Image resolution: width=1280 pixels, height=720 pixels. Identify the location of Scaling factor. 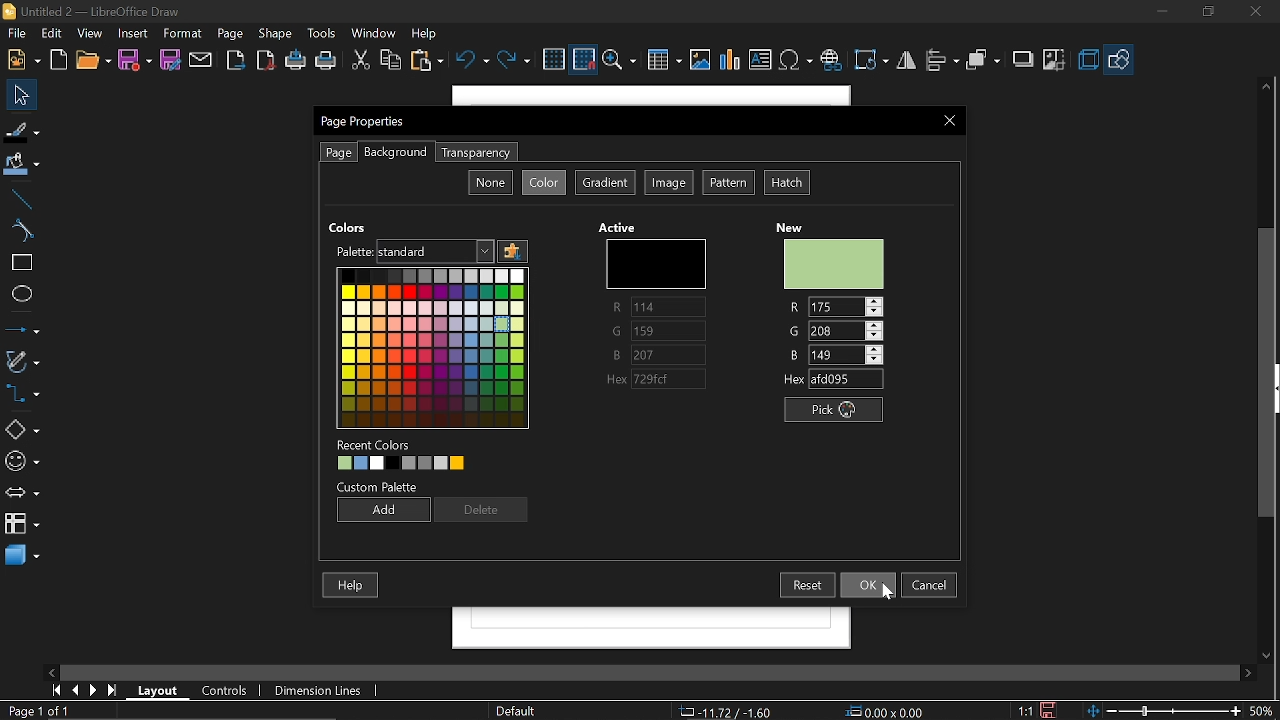
(1024, 710).